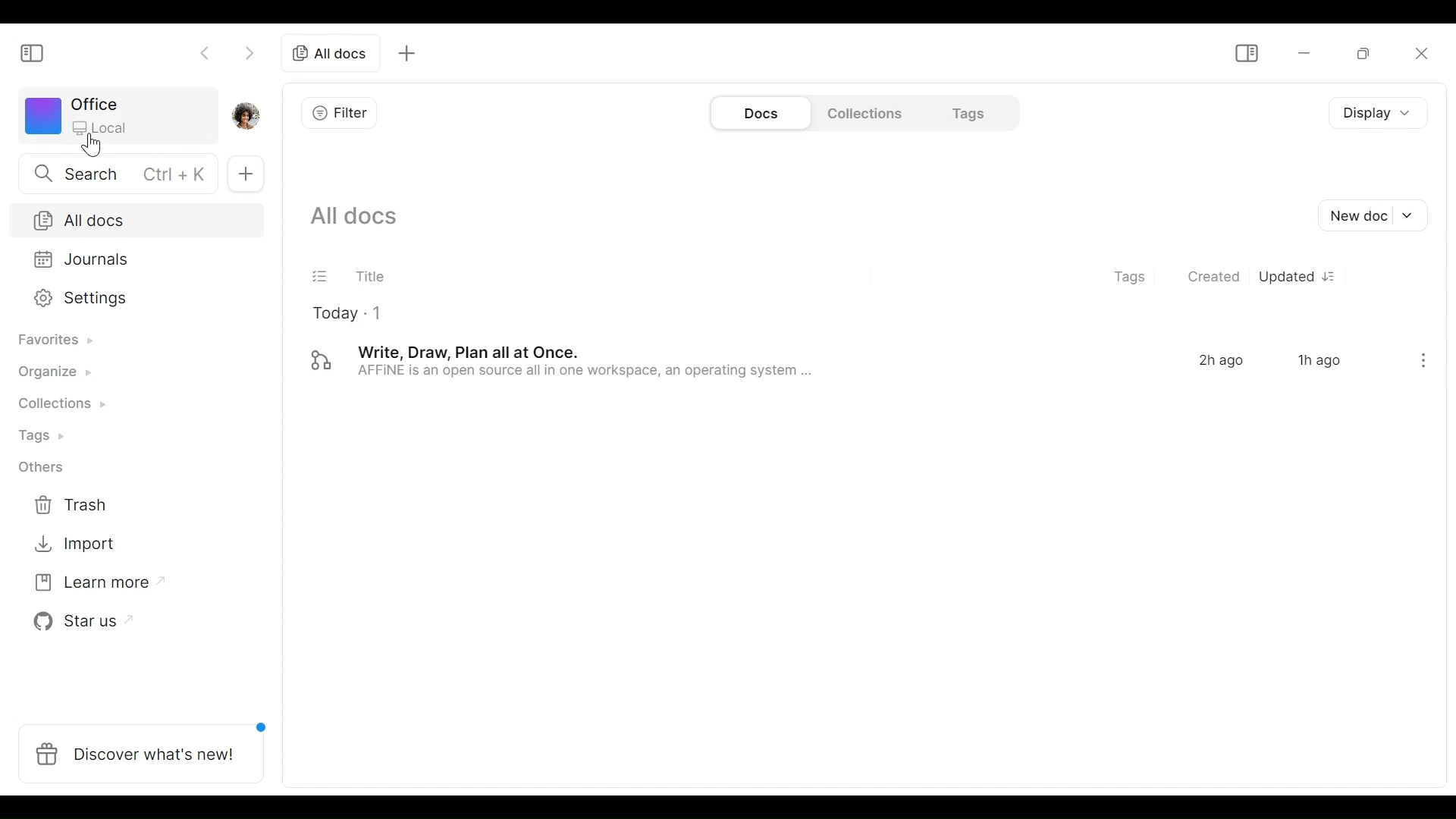  Describe the element at coordinates (1377, 115) in the screenshot. I see `Display` at that location.